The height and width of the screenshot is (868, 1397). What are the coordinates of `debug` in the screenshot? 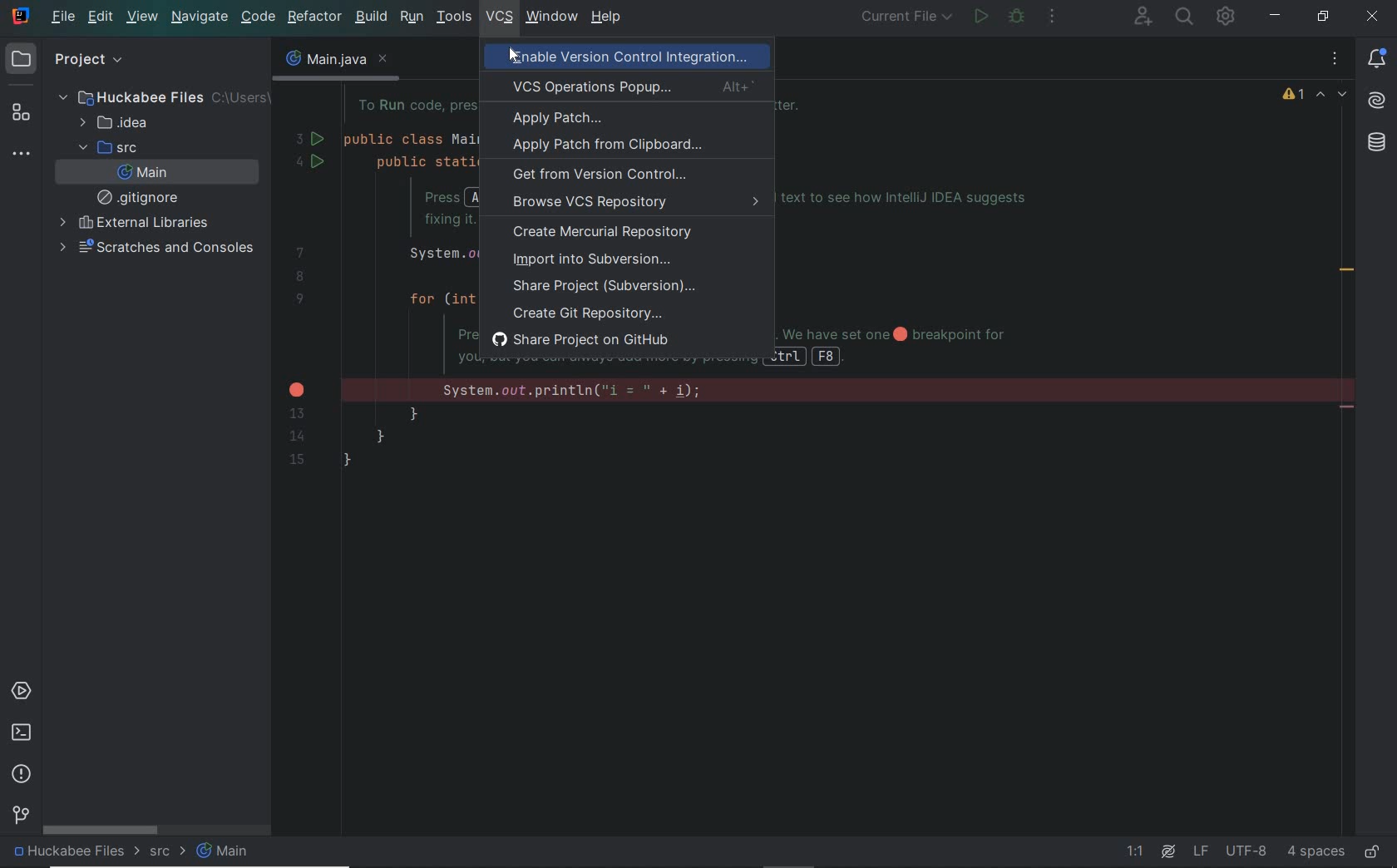 It's located at (1017, 18).